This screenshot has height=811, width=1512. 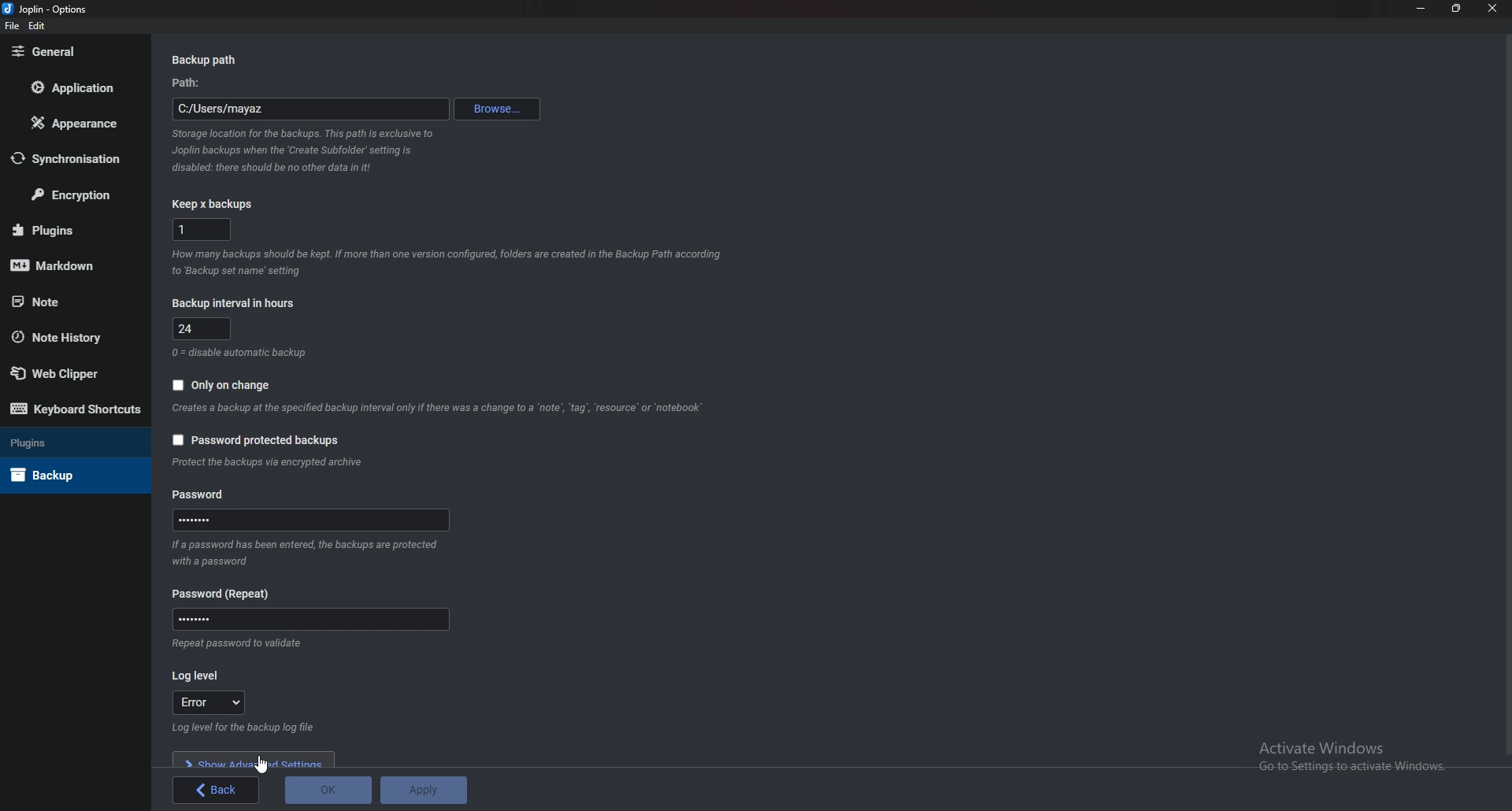 I want to click on backup interval in hours, so click(x=231, y=305).